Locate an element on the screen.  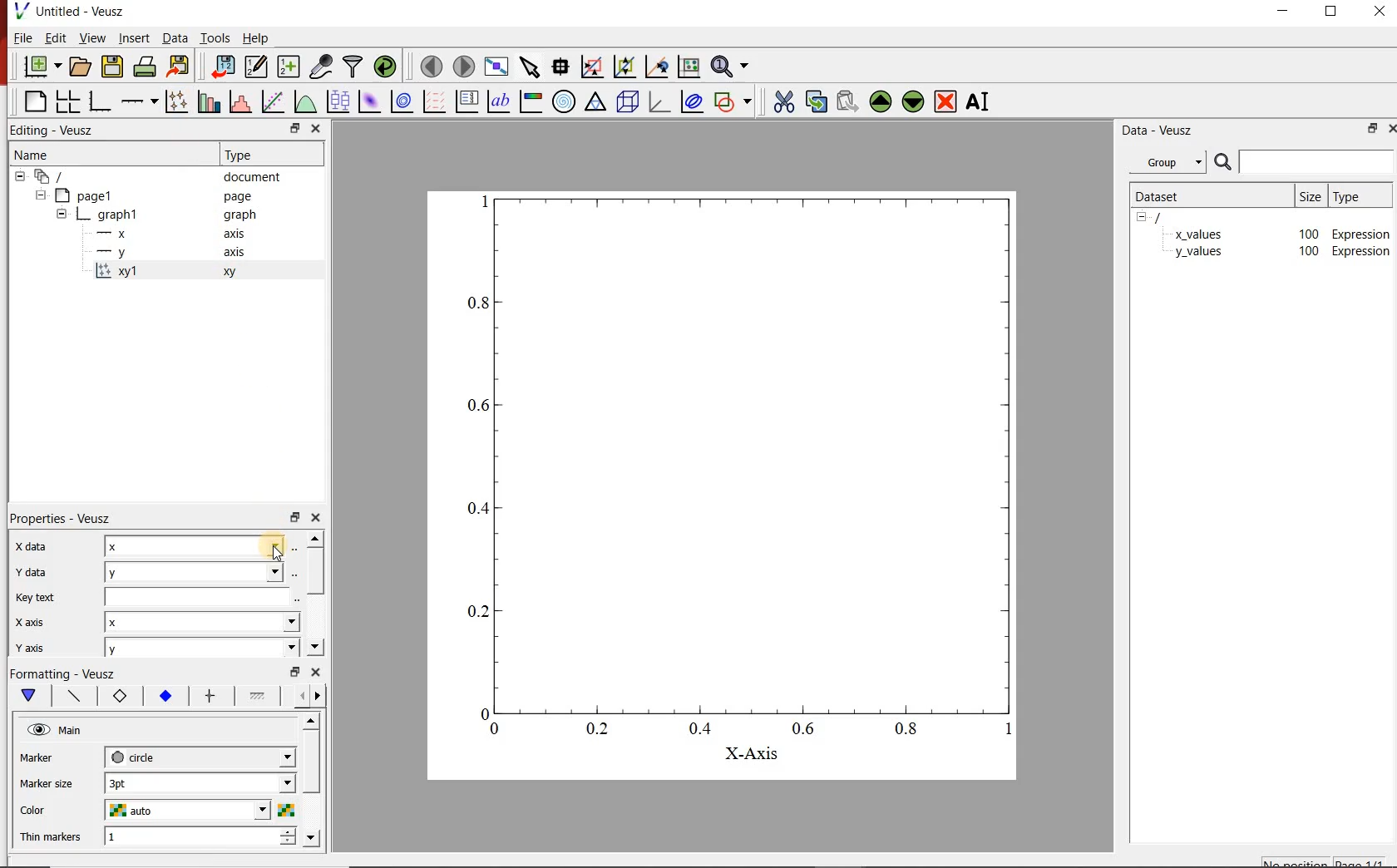
move to previous page is located at coordinates (431, 67).